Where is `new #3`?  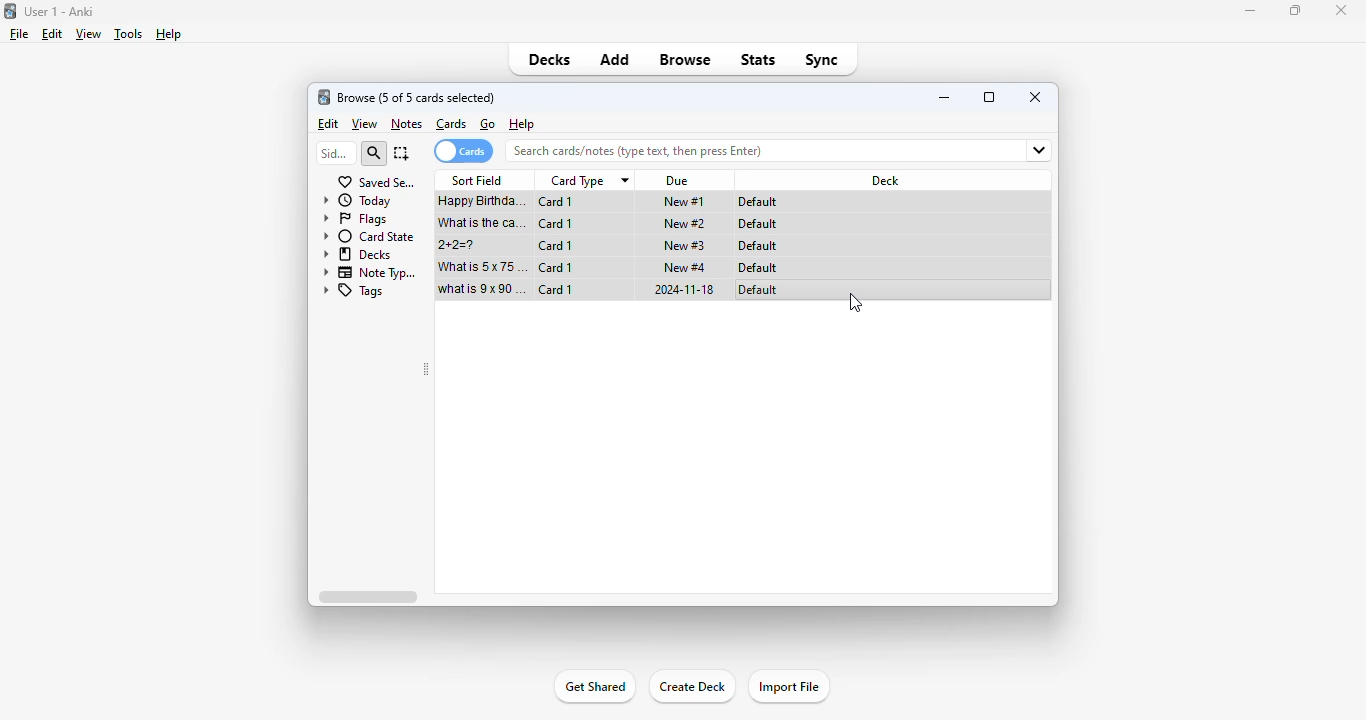 new #3 is located at coordinates (684, 245).